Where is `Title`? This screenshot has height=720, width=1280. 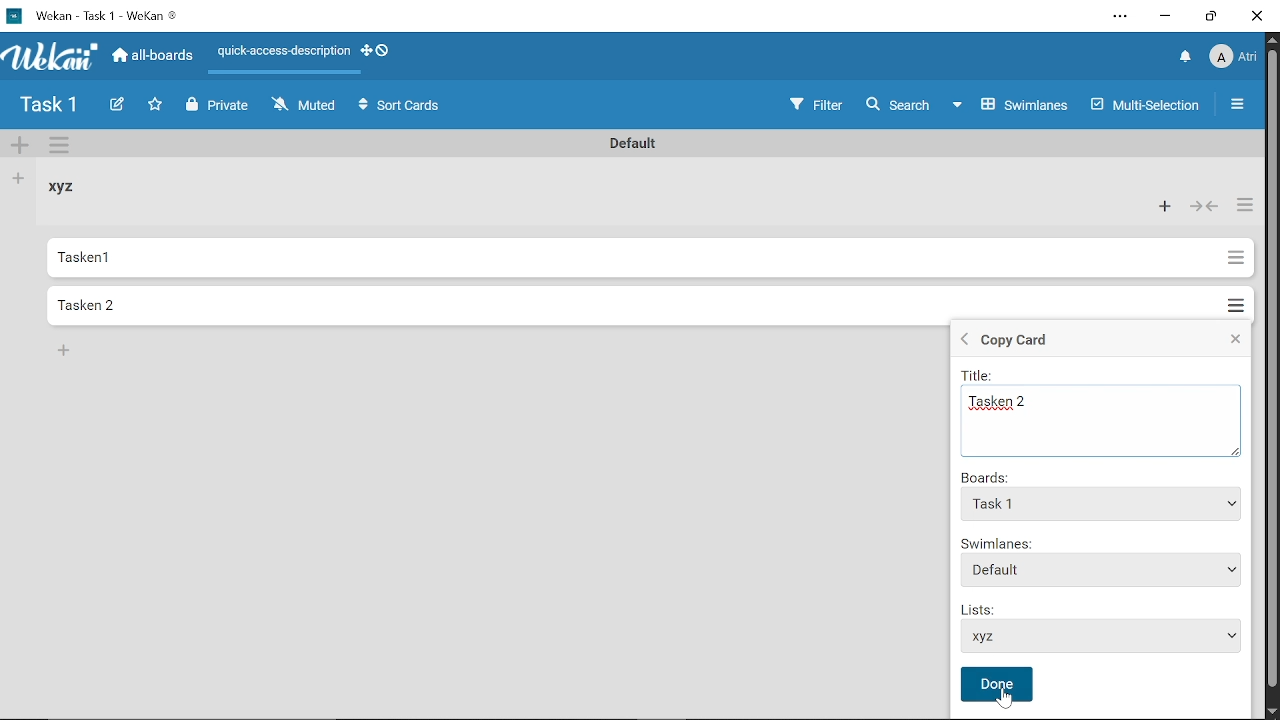
Title is located at coordinates (982, 375).